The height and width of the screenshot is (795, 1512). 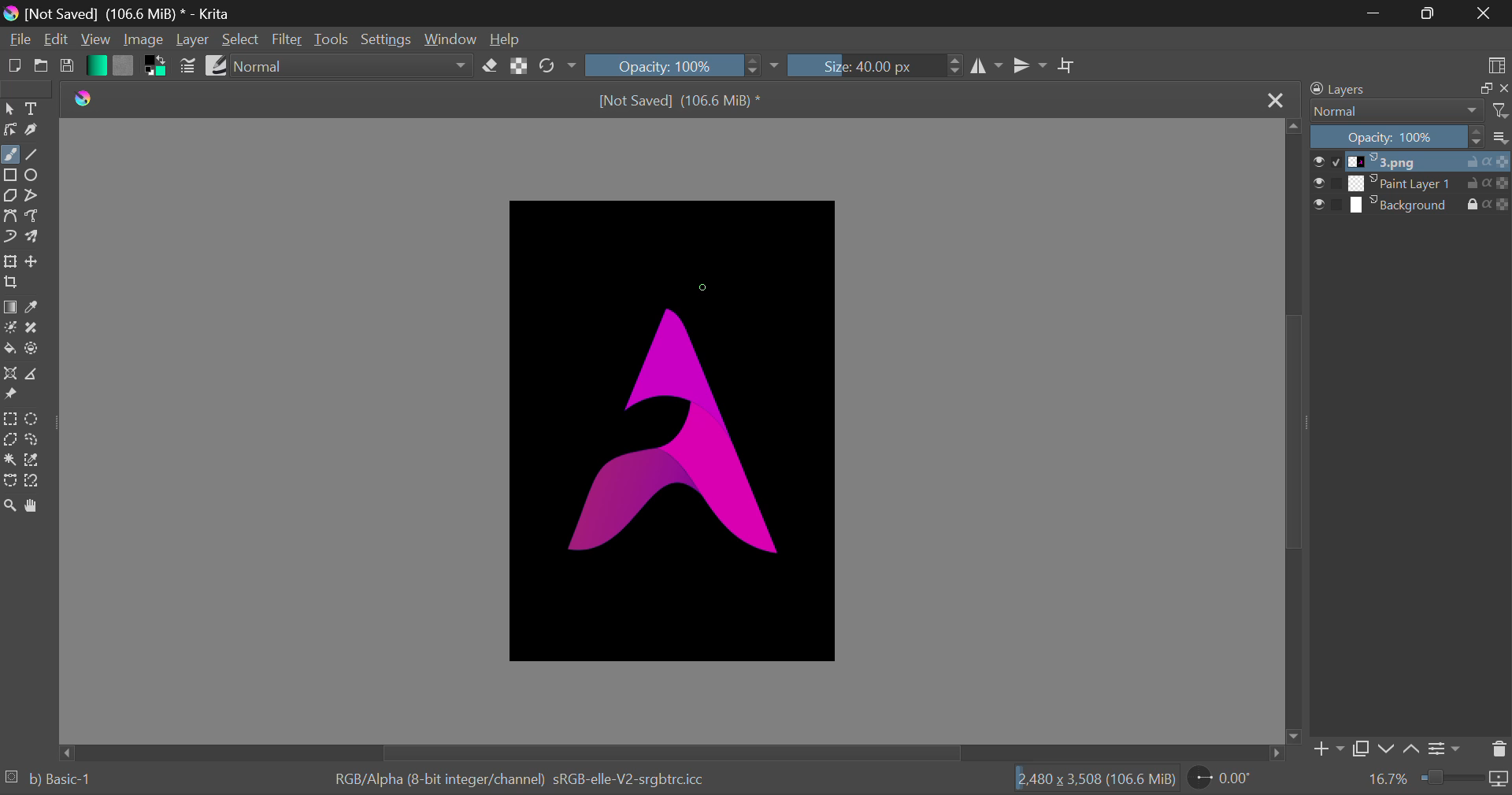 What do you see at coordinates (38, 238) in the screenshot?
I see `Multibrush Tool` at bounding box center [38, 238].